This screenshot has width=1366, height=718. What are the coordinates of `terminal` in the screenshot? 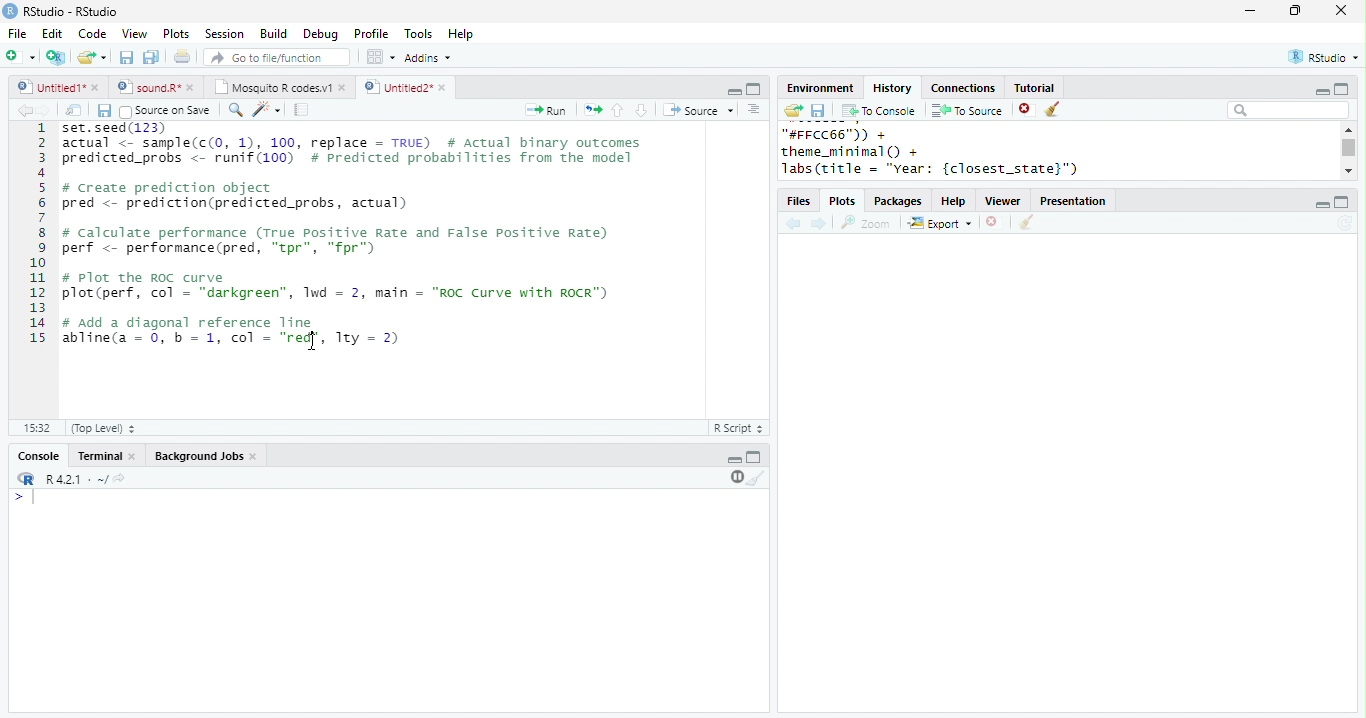 It's located at (97, 457).